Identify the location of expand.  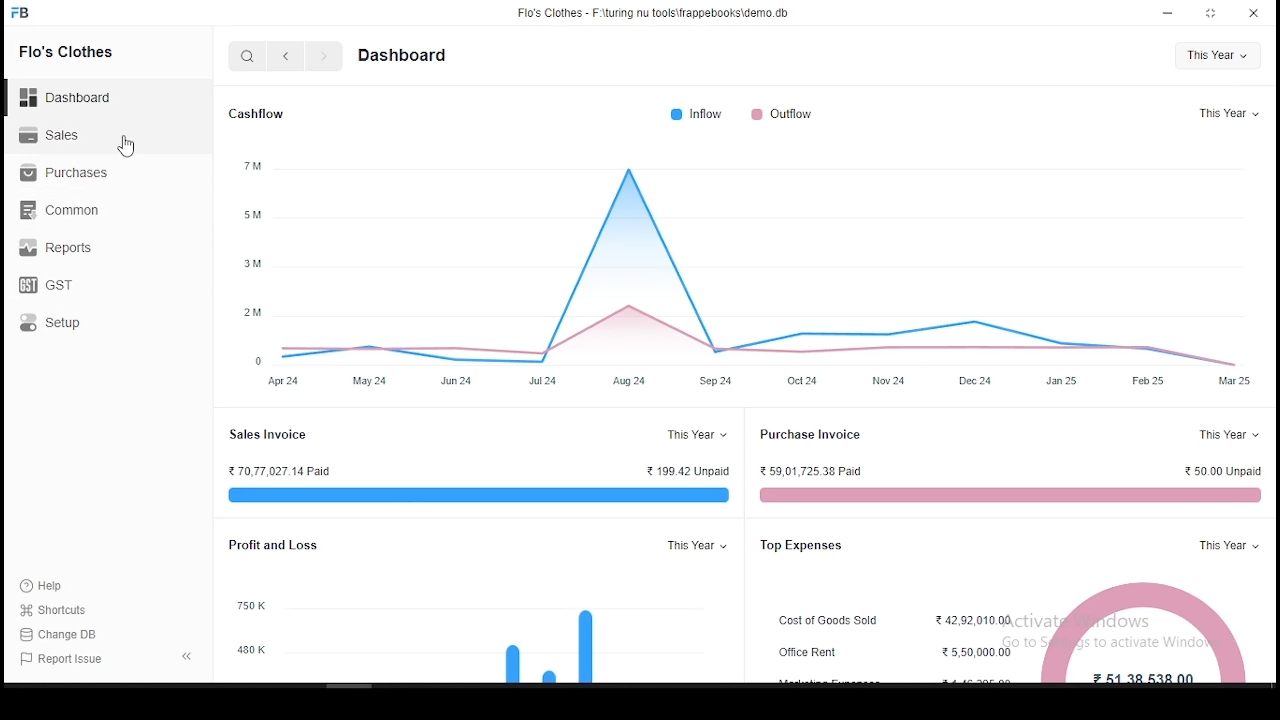
(182, 654).